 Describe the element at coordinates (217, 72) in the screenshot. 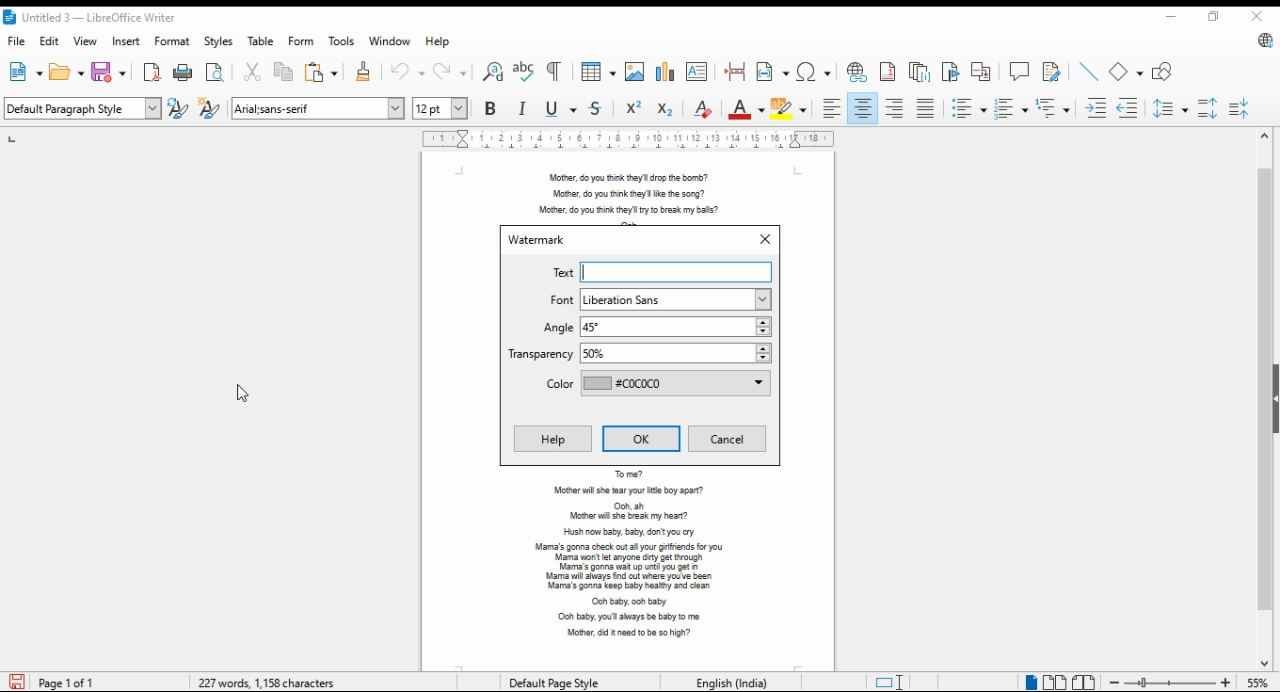

I see `toggle print preview` at that location.